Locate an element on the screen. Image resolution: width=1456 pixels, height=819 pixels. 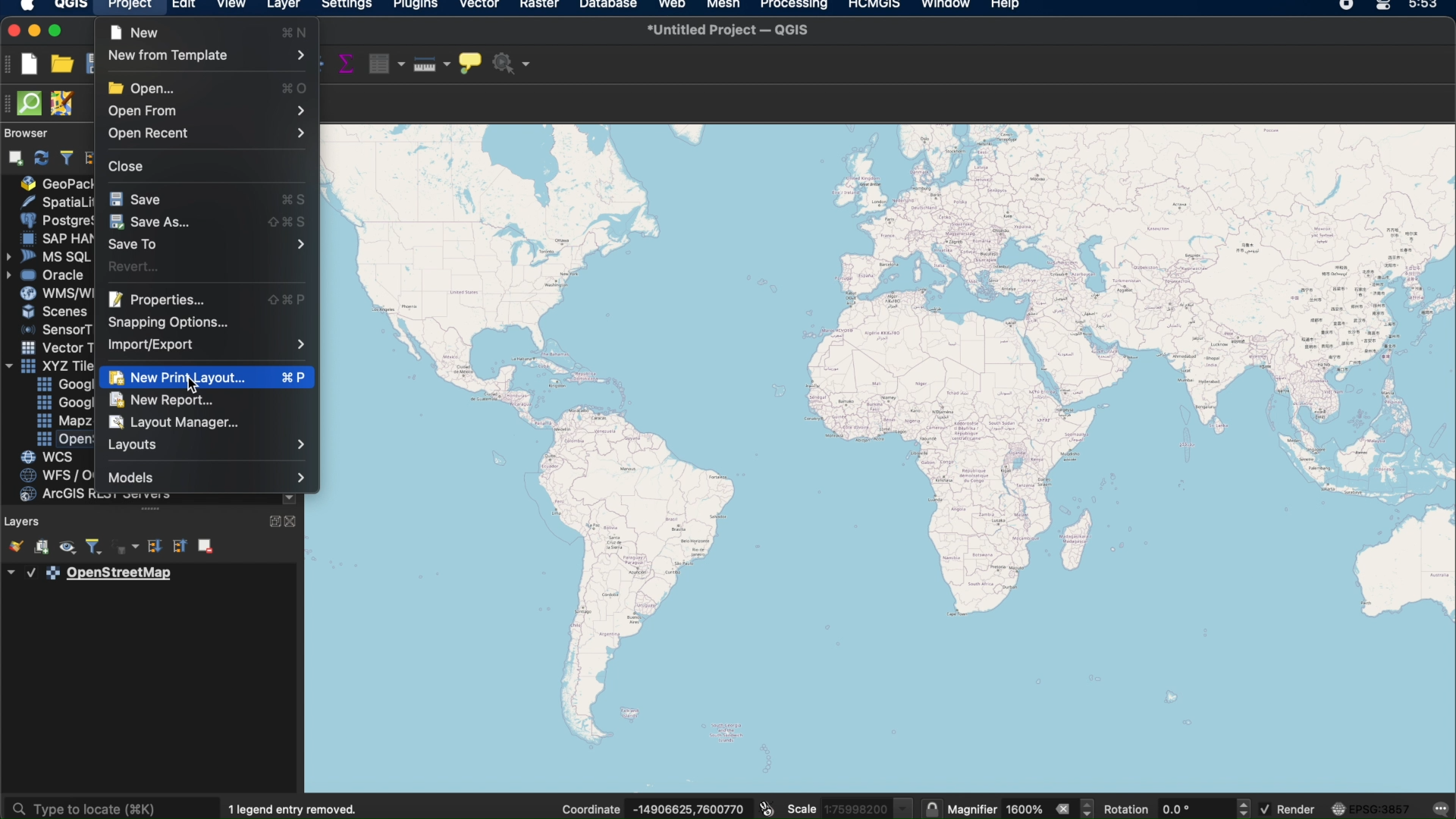
close is located at coordinates (12, 29).